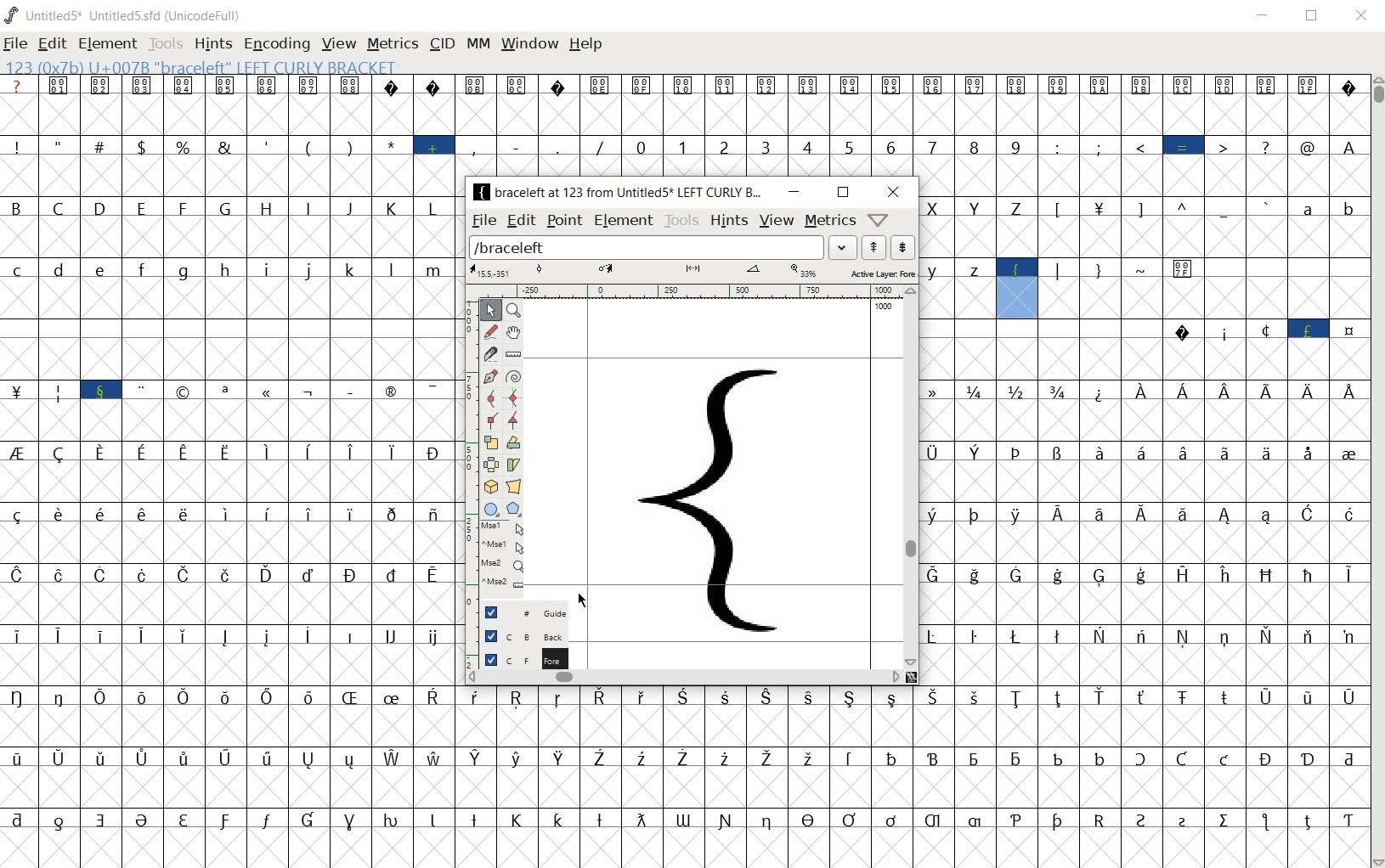  I want to click on scrollbar, so click(686, 677).